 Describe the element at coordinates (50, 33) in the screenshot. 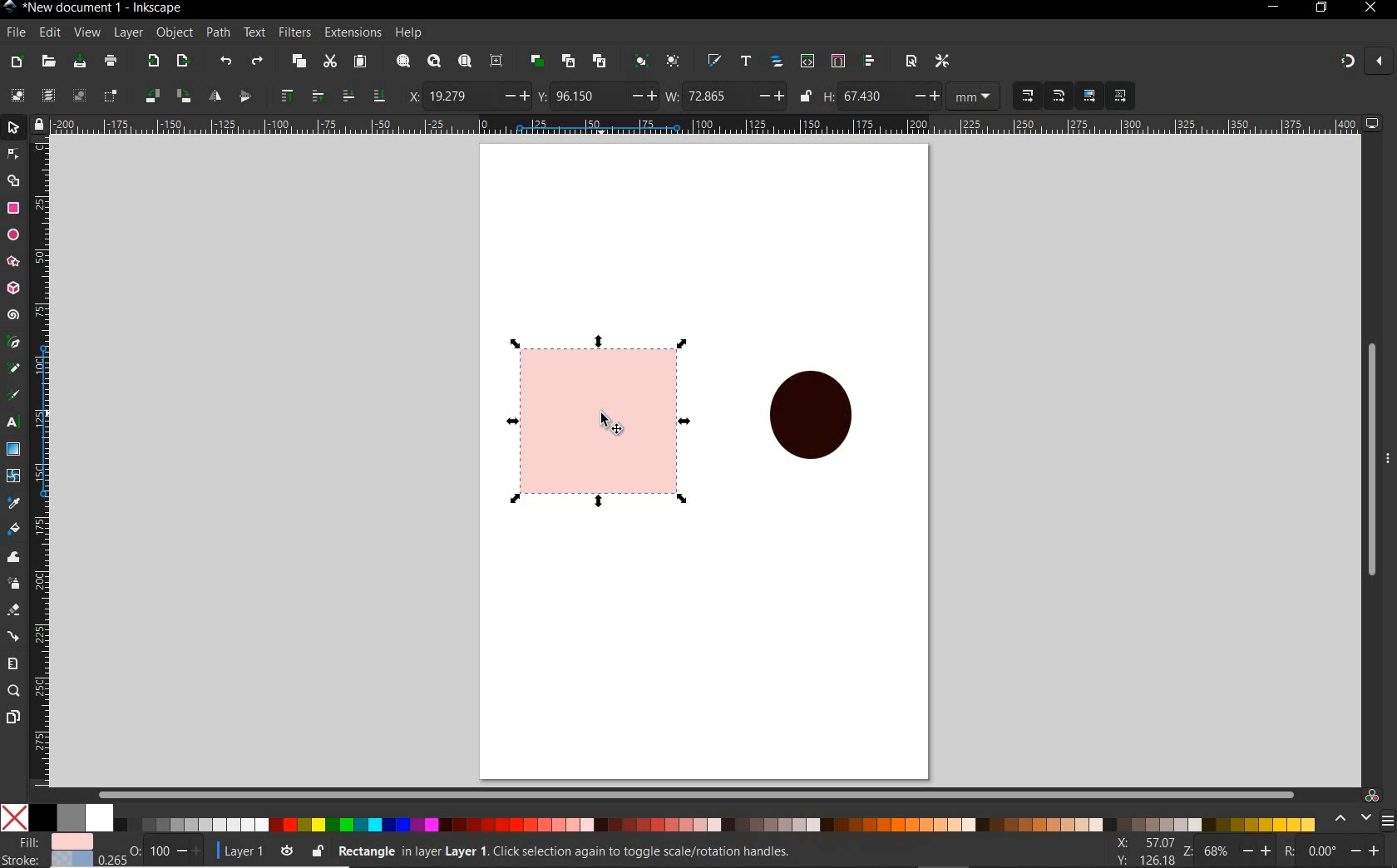

I see `edit` at that location.